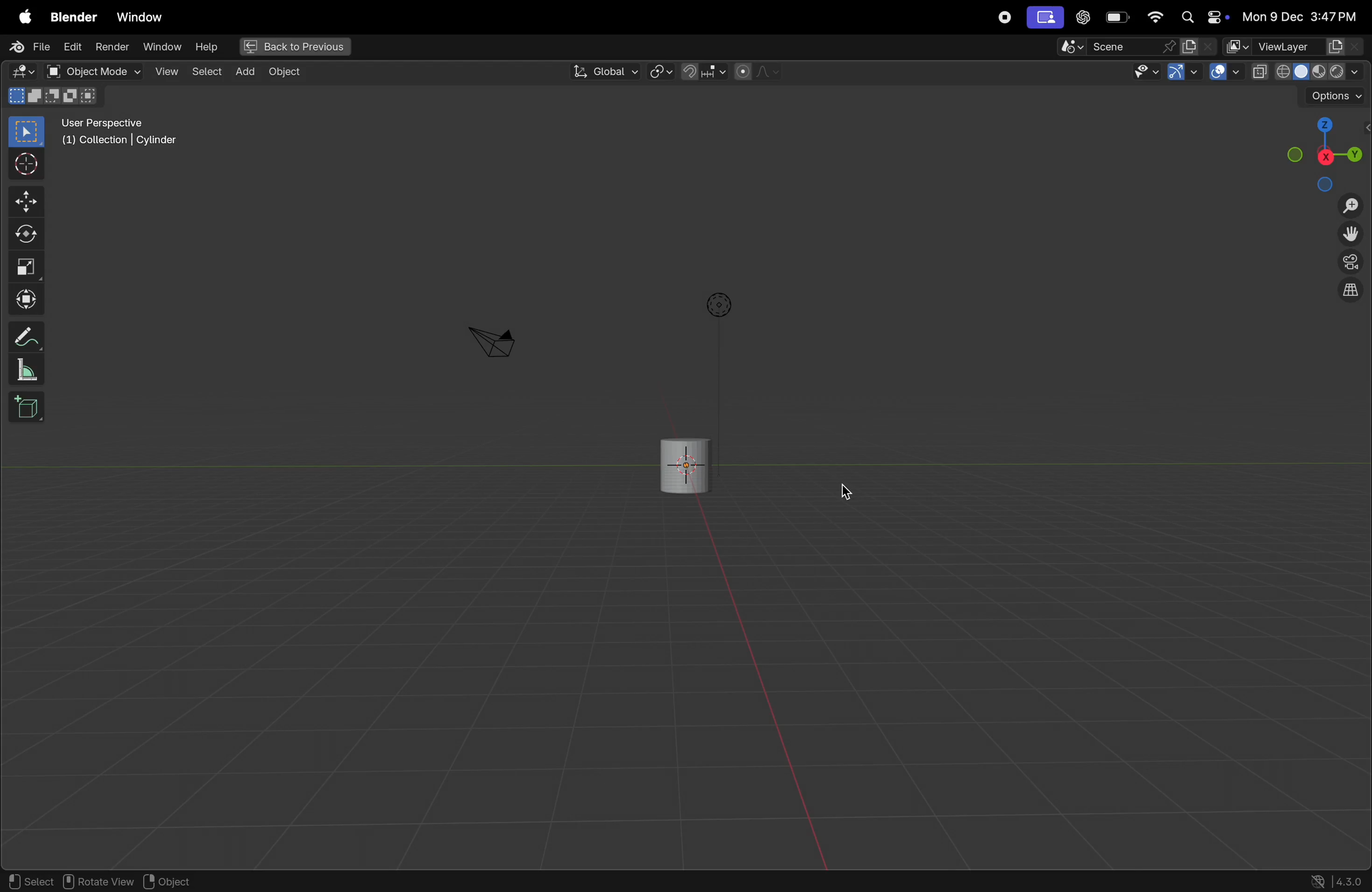 The height and width of the screenshot is (892, 1372). I want to click on score, so click(1117, 46).